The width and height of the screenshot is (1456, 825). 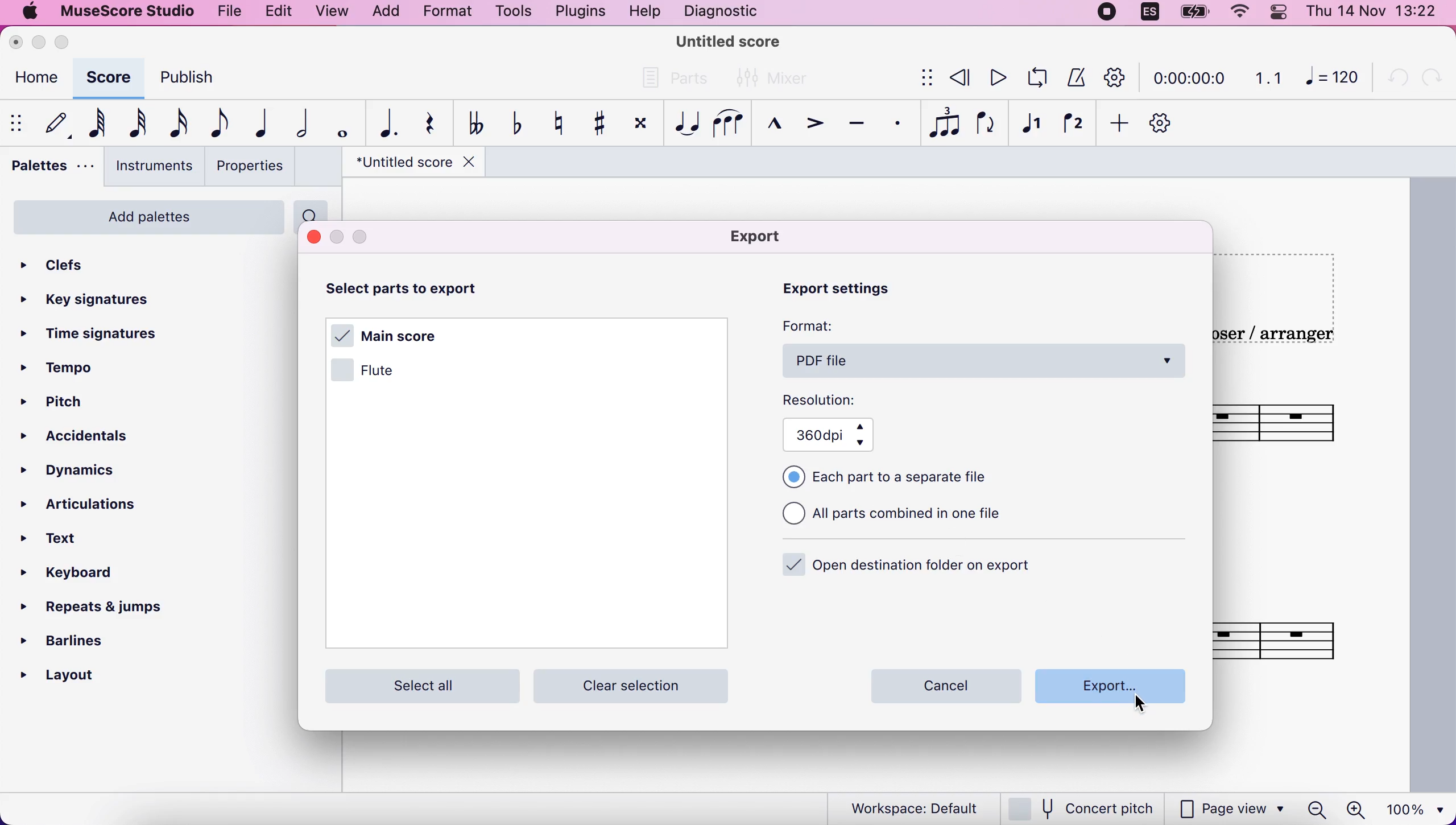 What do you see at coordinates (1191, 77) in the screenshot?
I see `time` at bounding box center [1191, 77].